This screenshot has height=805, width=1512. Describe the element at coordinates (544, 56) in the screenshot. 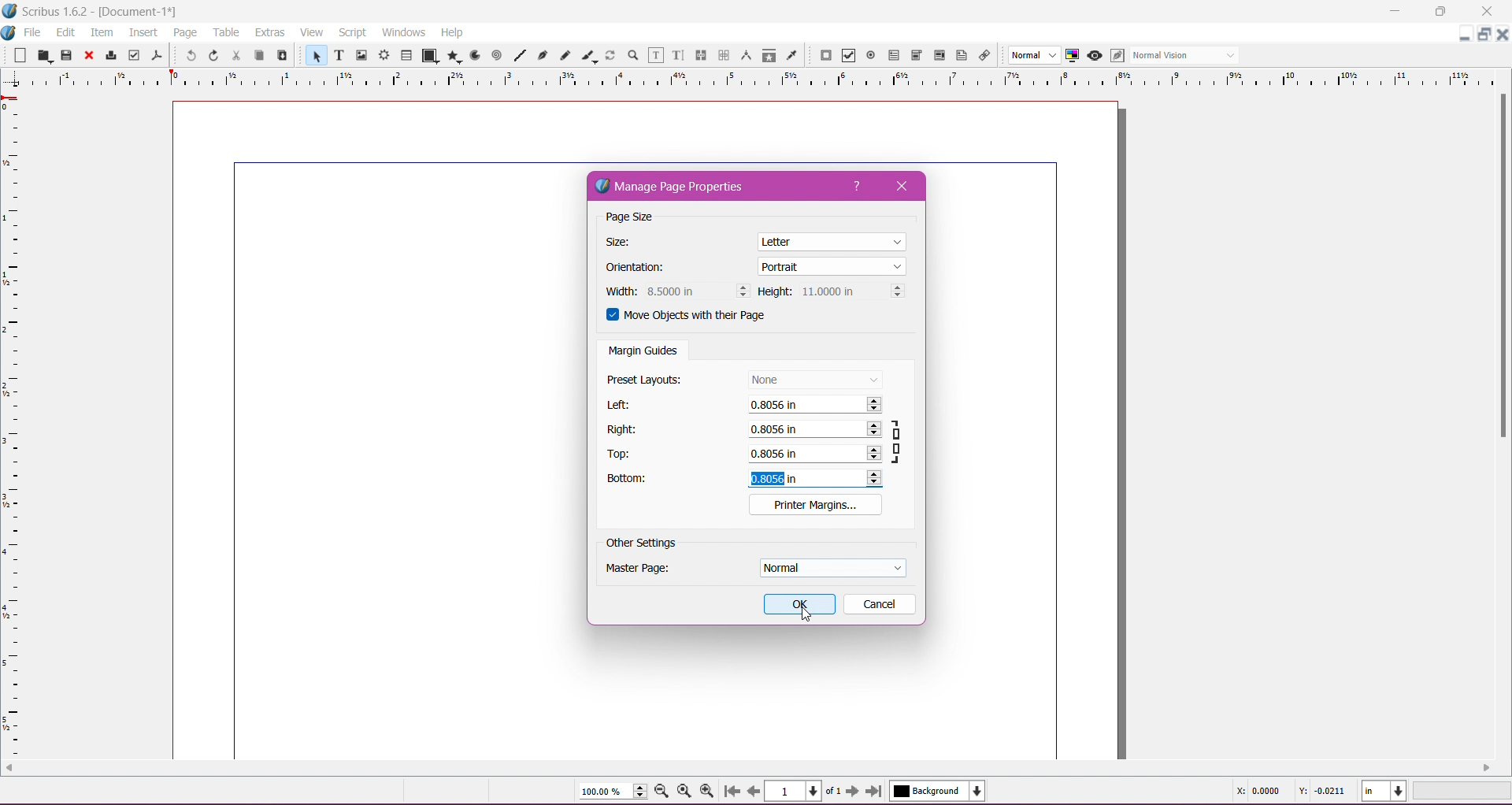

I see `Bezier Curve` at that location.